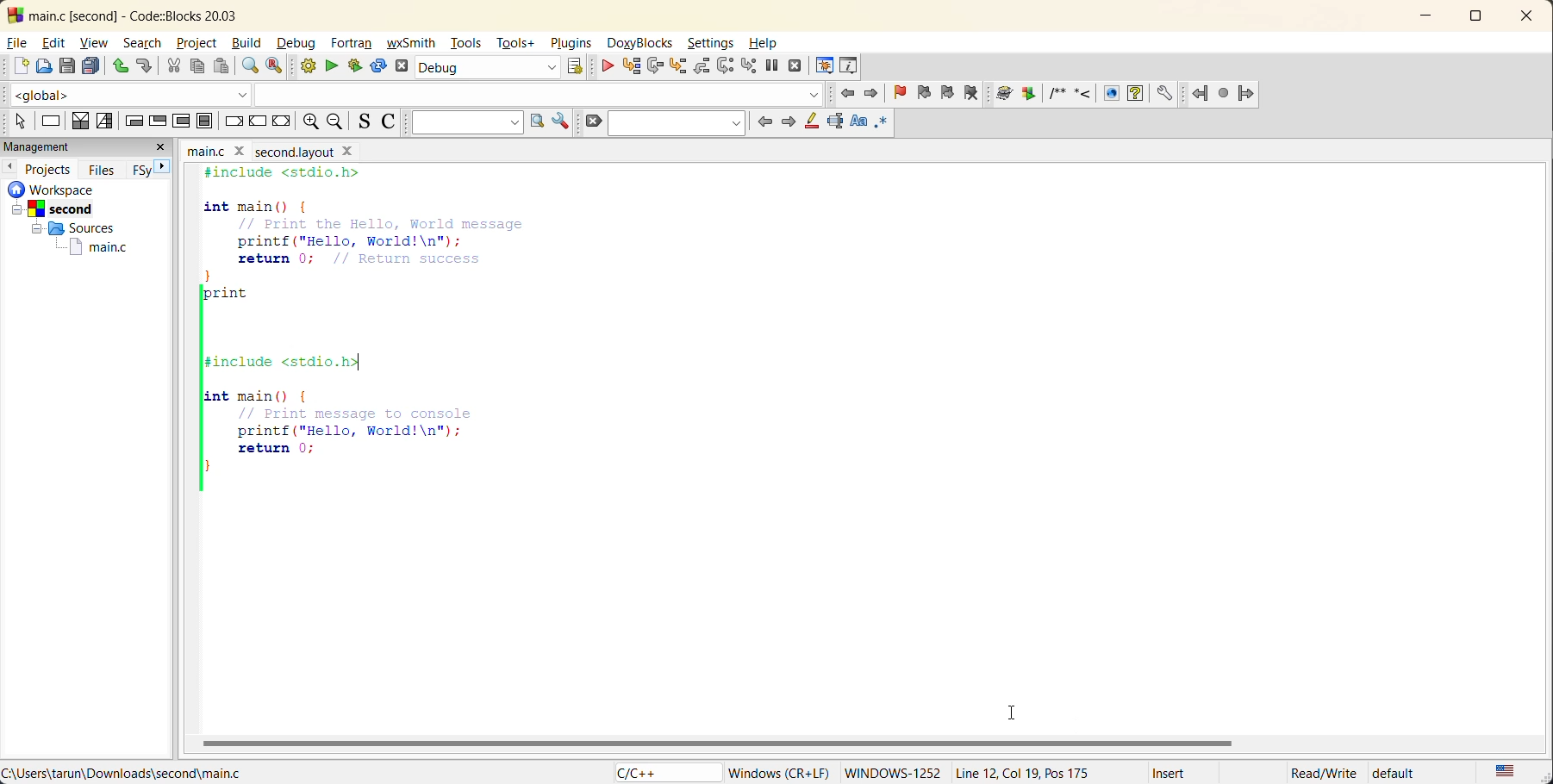 This screenshot has width=1553, height=784. What do you see at coordinates (221, 66) in the screenshot?
I see `paste` at bounding box center [221, 66].